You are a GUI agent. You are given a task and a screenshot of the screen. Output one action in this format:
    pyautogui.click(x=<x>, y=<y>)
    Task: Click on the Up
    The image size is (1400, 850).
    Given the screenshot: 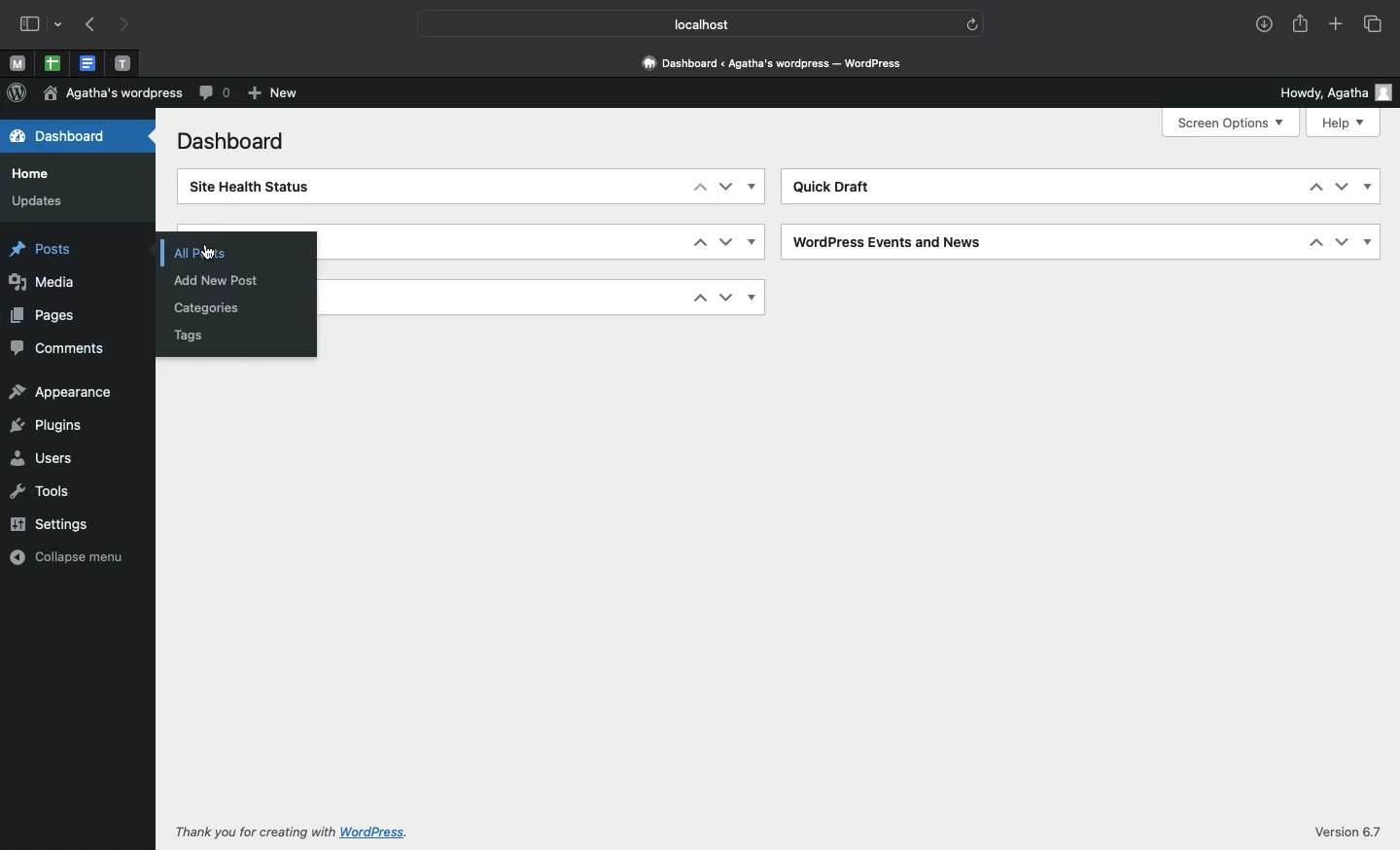 What is the action you would take?
    pyautogui.click(x=699, y=240)
    